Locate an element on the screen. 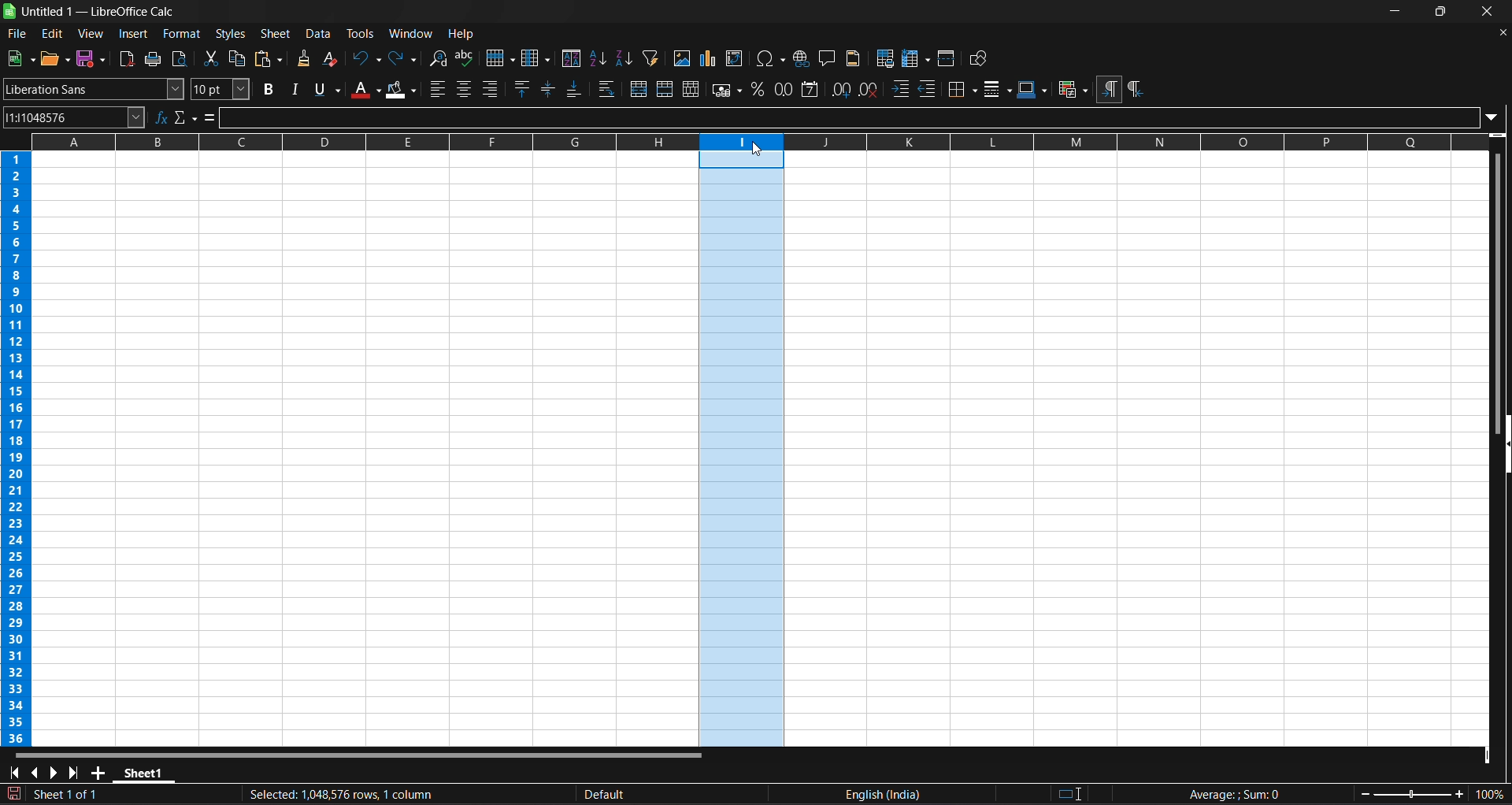 This screenshot has height=805, width=1512. new is located at coordinates (21, 57).